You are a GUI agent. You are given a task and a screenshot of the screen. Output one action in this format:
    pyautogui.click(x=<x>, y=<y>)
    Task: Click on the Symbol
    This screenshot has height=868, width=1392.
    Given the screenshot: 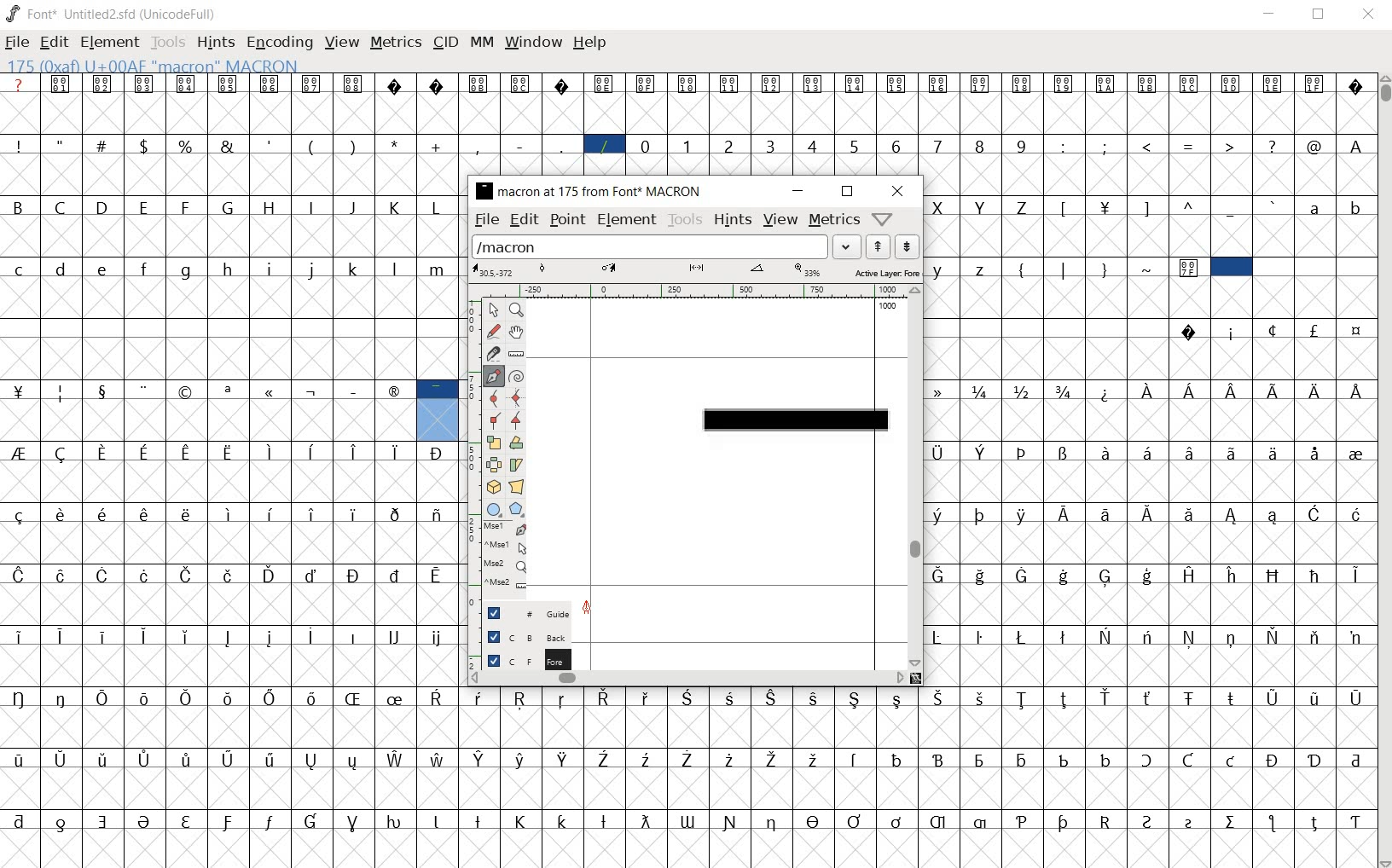 What is the action you would take?
    pyautogui.click(x=896, y=758)
    